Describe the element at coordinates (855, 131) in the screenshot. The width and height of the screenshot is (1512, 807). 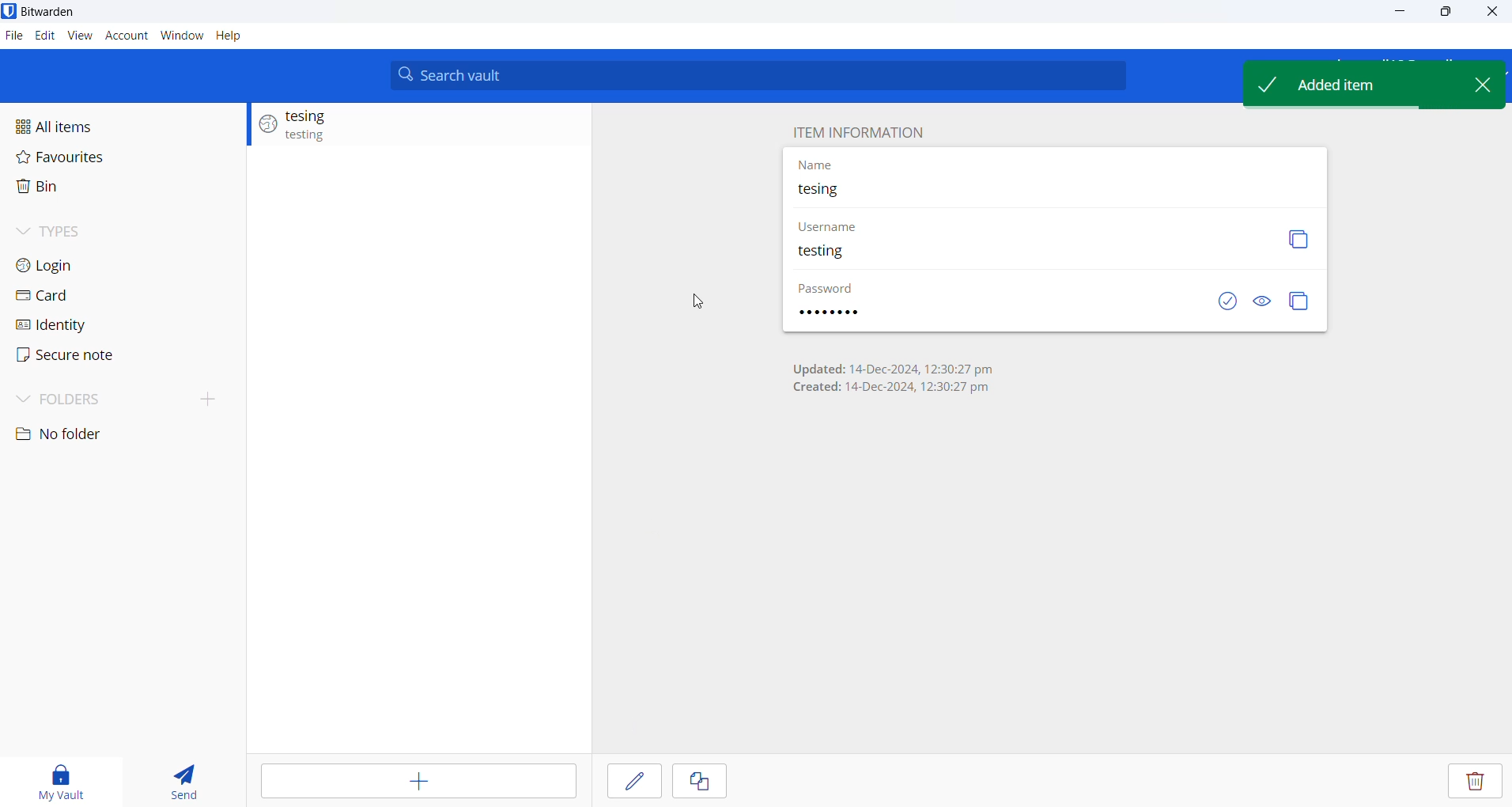
I see `ITEM INFORMATION` at that location.